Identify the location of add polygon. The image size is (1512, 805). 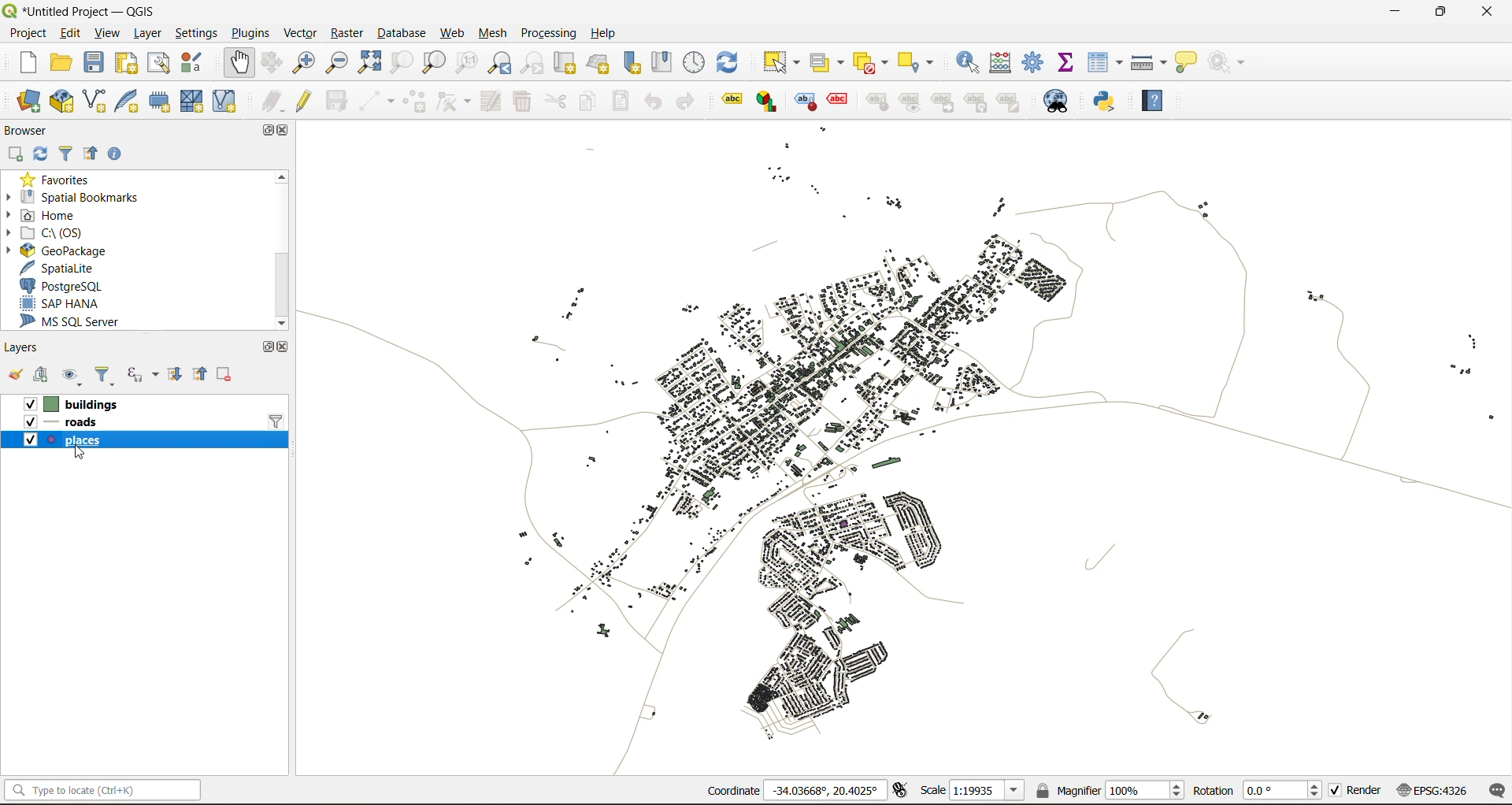
(416, 102).